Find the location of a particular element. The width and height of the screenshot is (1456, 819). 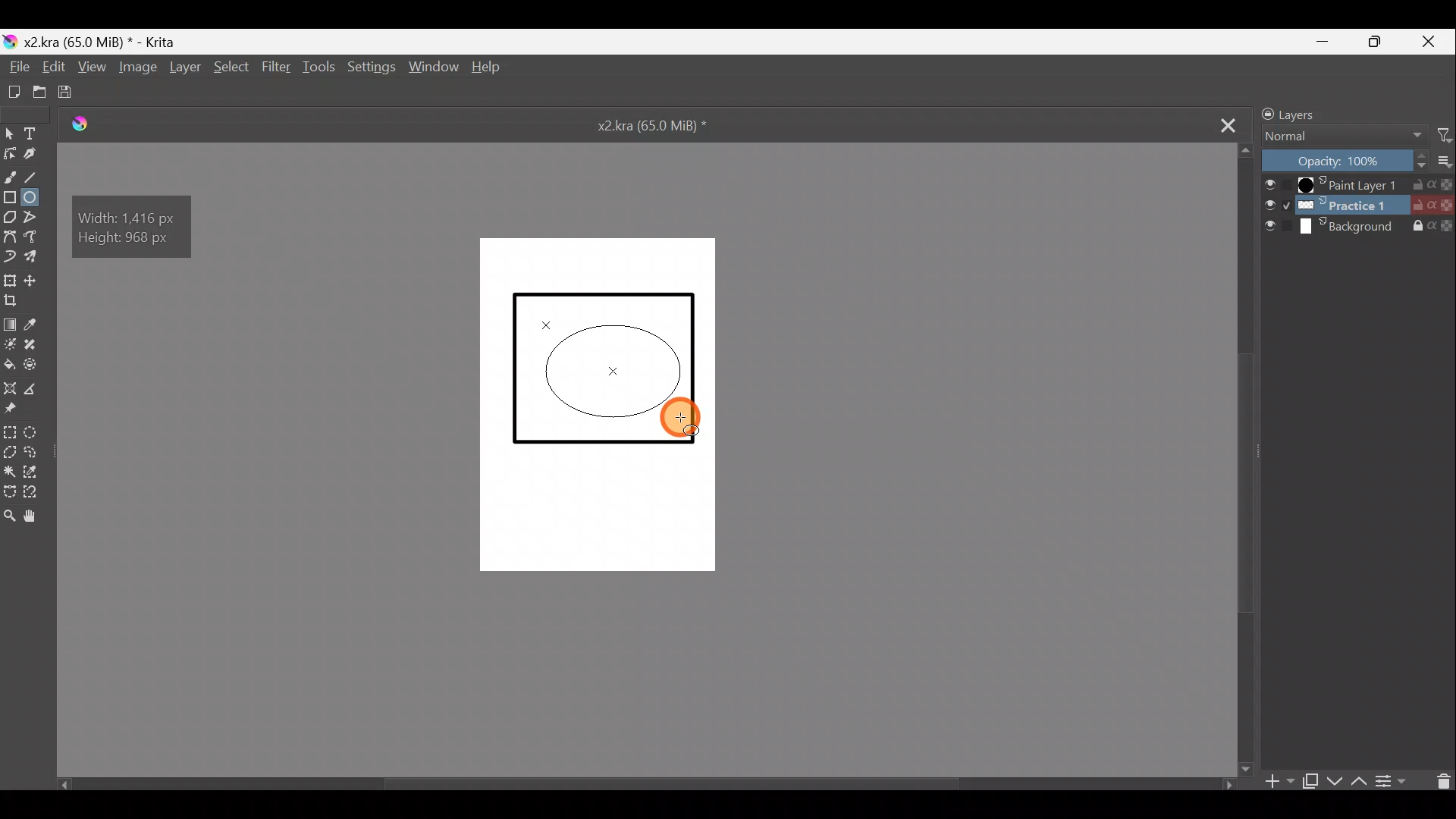

Elliptical selection tool is located at coordinates (34, 431).